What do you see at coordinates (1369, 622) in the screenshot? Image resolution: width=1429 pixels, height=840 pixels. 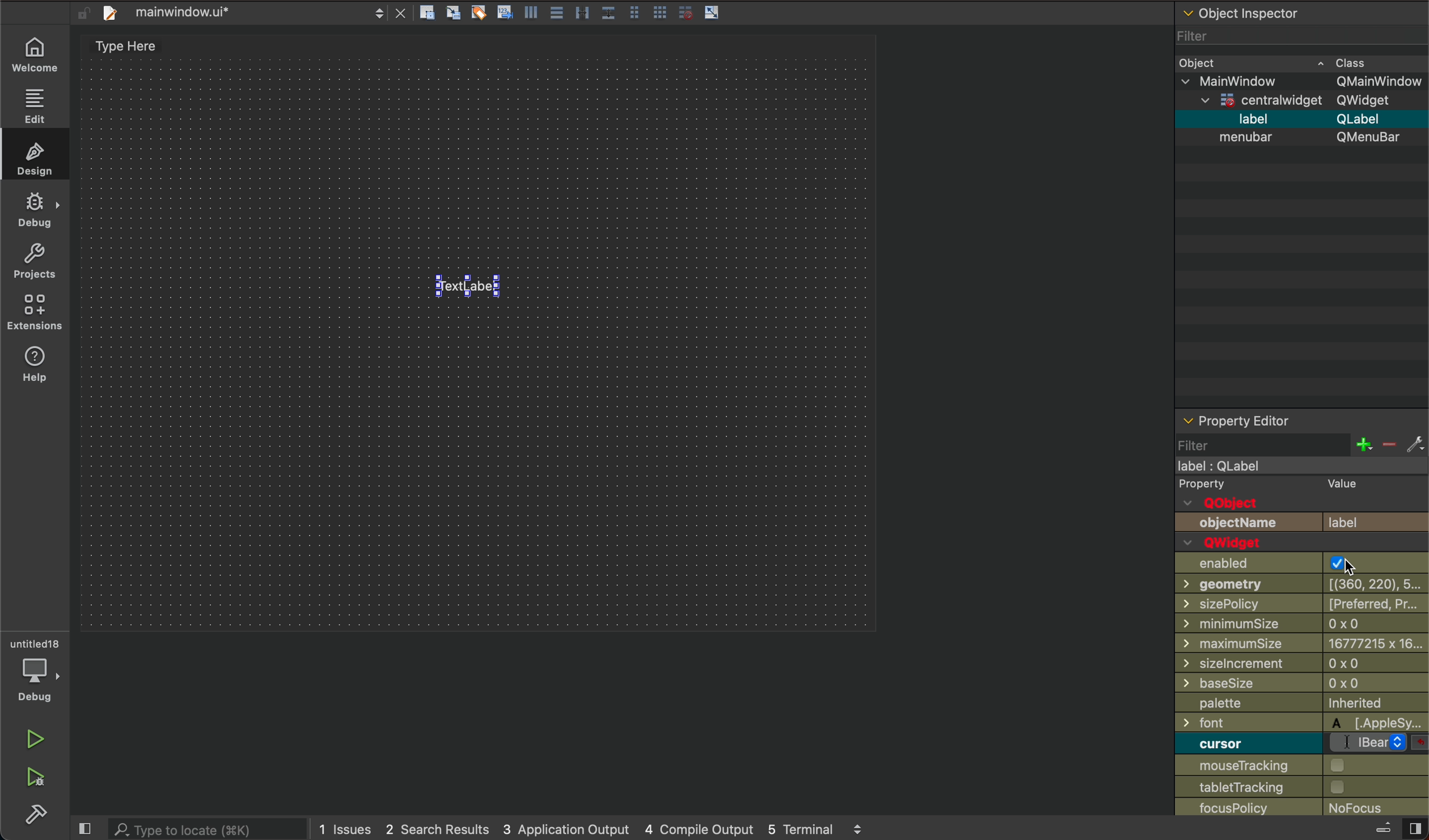 I see `0 x 0` at bounding box center [1369, 622].